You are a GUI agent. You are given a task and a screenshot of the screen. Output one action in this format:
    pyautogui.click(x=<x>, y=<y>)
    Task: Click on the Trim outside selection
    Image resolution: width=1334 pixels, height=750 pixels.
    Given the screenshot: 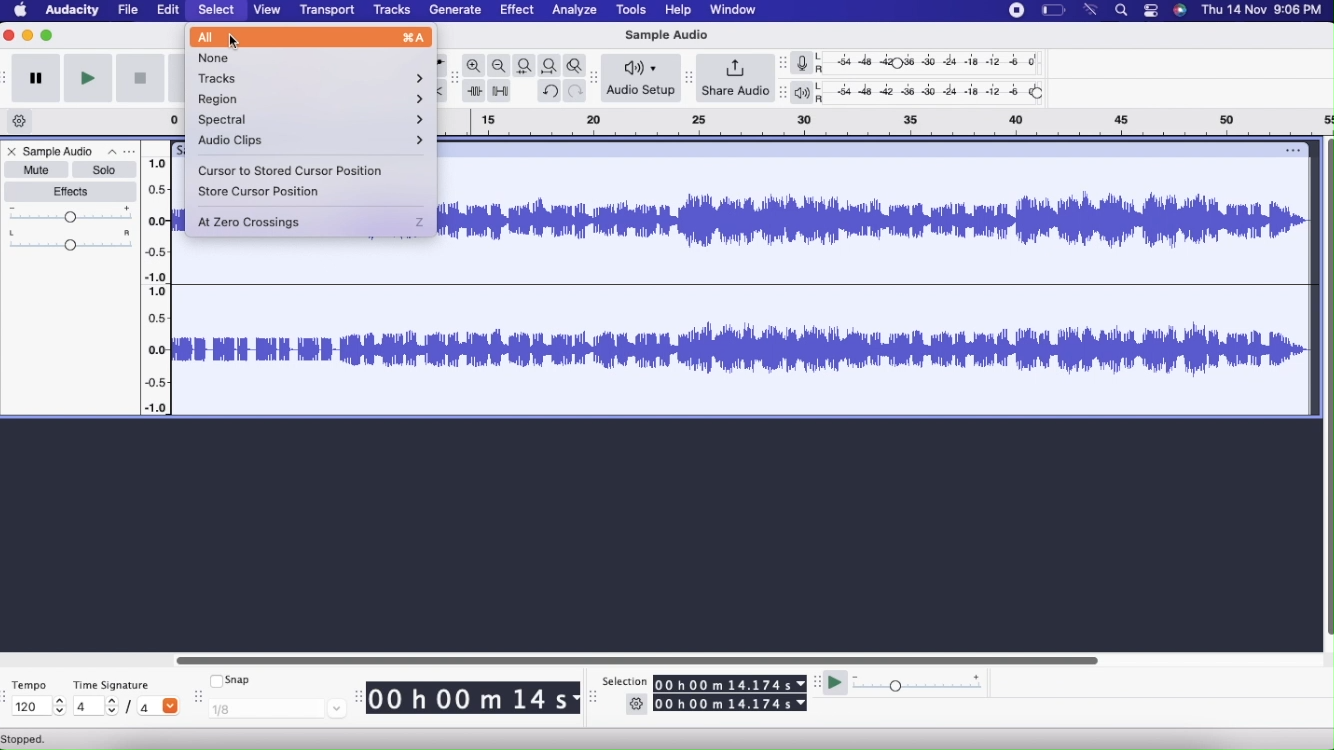 What is the action you would take?
    pyautogui.click(x=475, y=90)
    